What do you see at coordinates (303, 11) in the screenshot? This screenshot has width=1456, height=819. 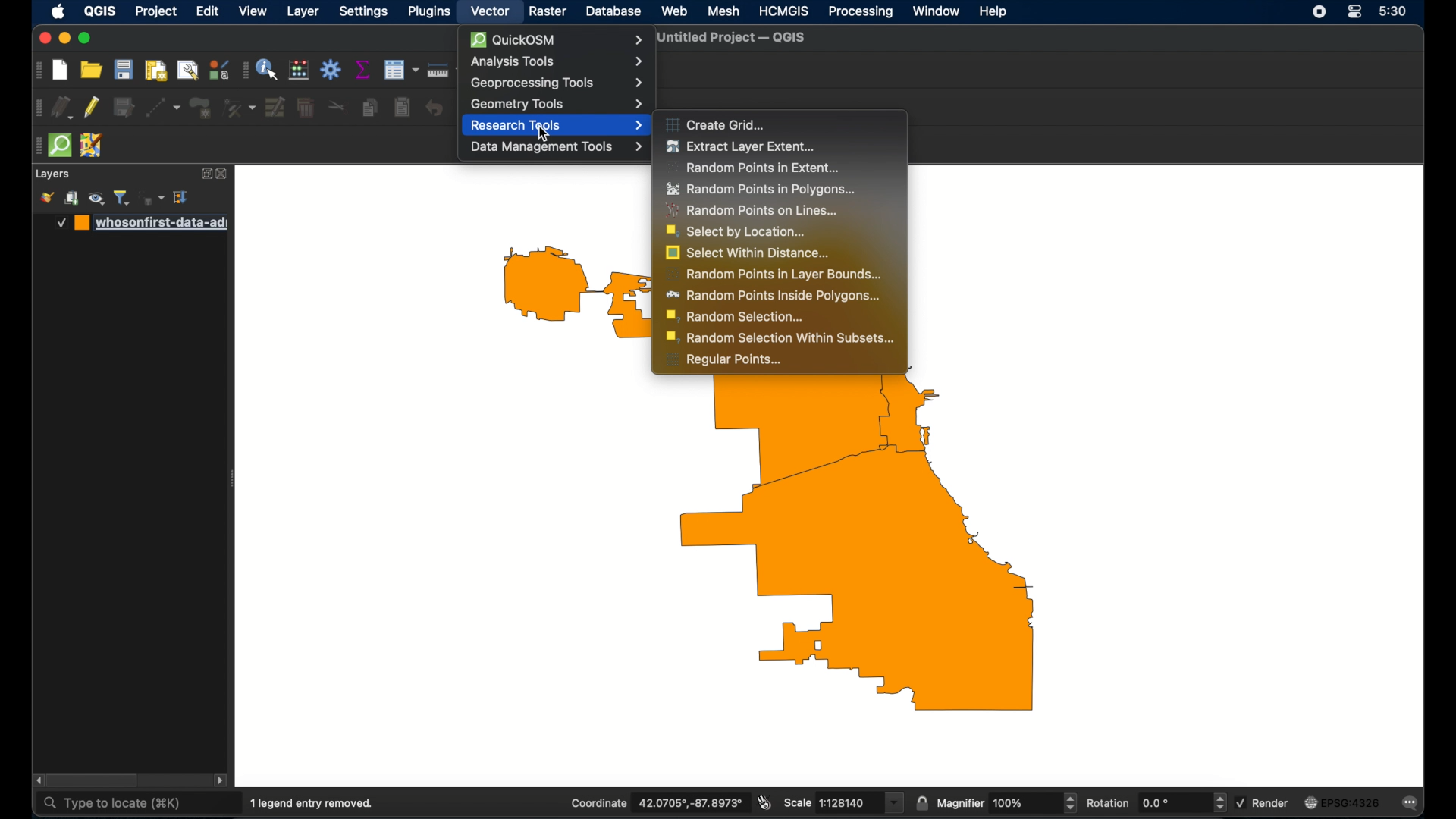 I see `layer` at bounding box center [303, 11].